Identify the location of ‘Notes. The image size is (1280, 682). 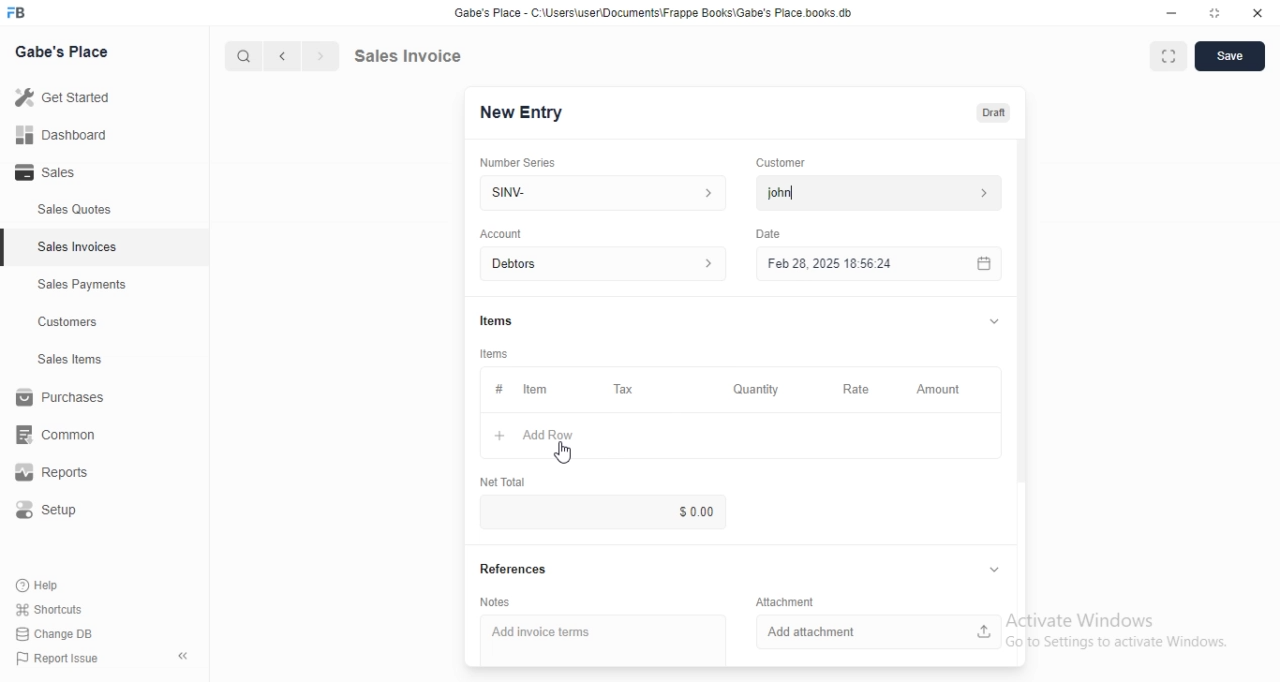
(494, 603).